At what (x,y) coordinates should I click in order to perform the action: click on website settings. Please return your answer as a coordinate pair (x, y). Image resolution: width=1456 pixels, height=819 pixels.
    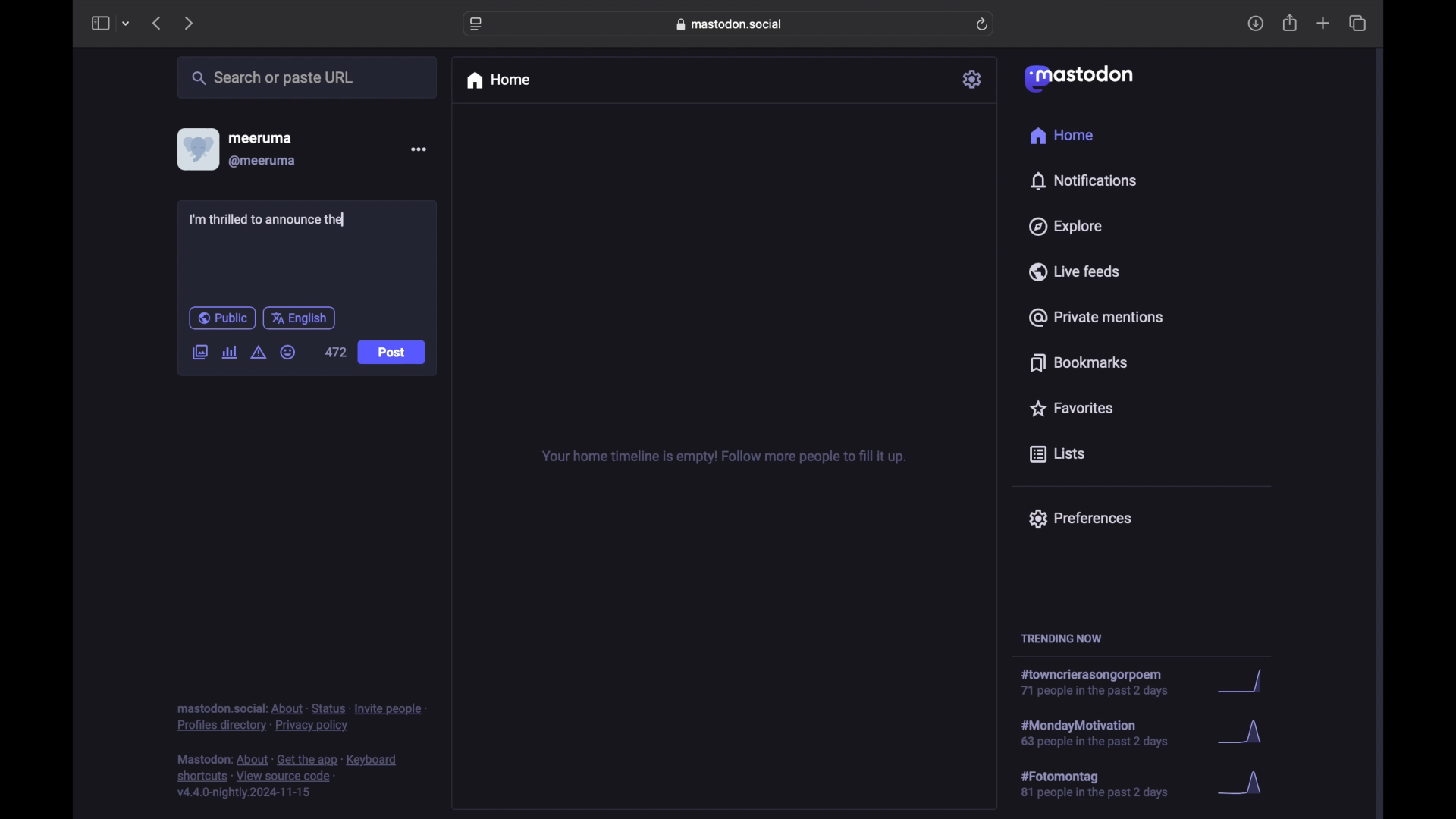
    Looking at the image, I should click on (476, 25).